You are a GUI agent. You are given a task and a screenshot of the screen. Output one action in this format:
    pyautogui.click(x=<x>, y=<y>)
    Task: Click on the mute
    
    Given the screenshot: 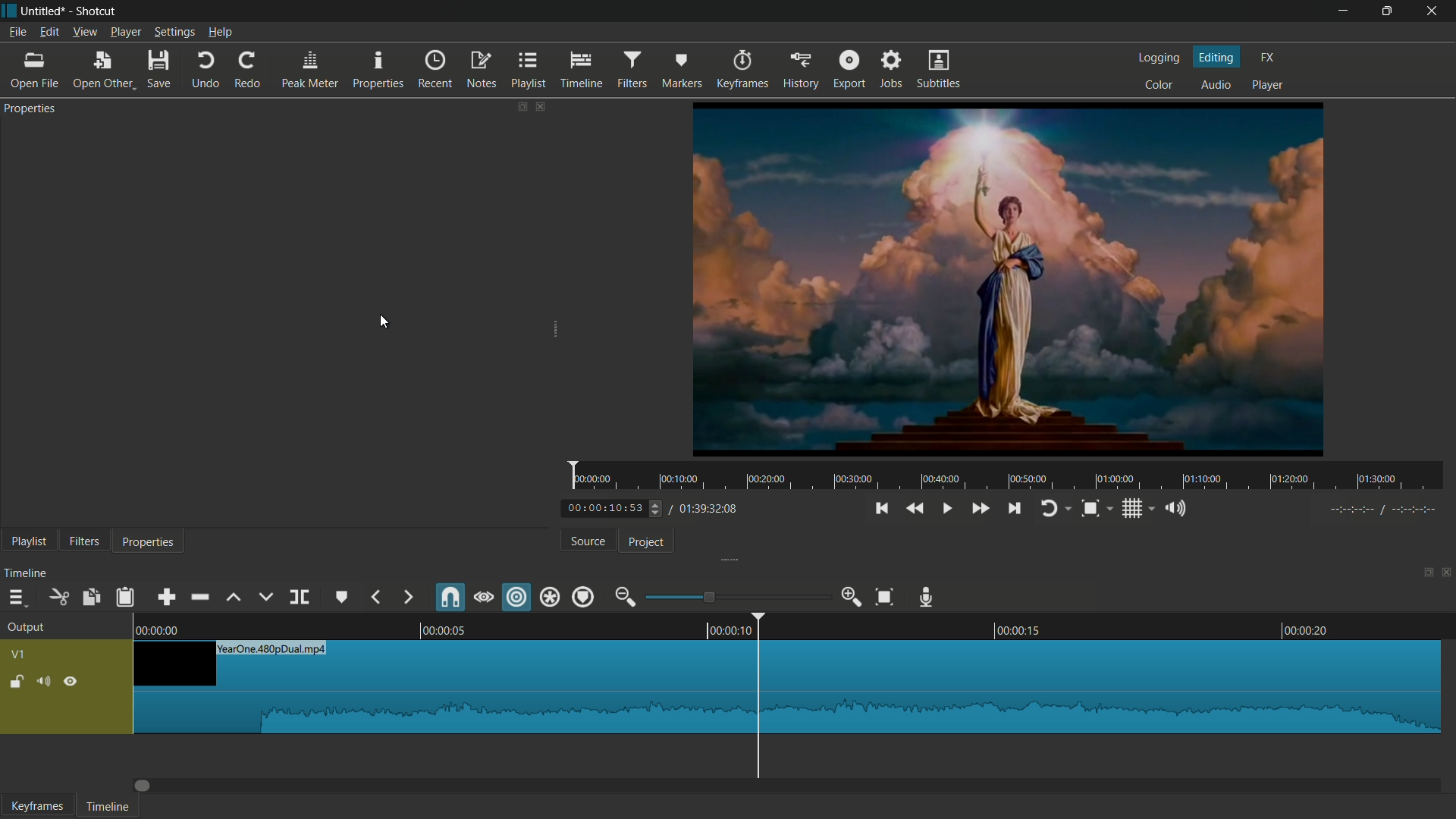 What is the action you would take?
    pyautogui.click(x=42, y=681)
    